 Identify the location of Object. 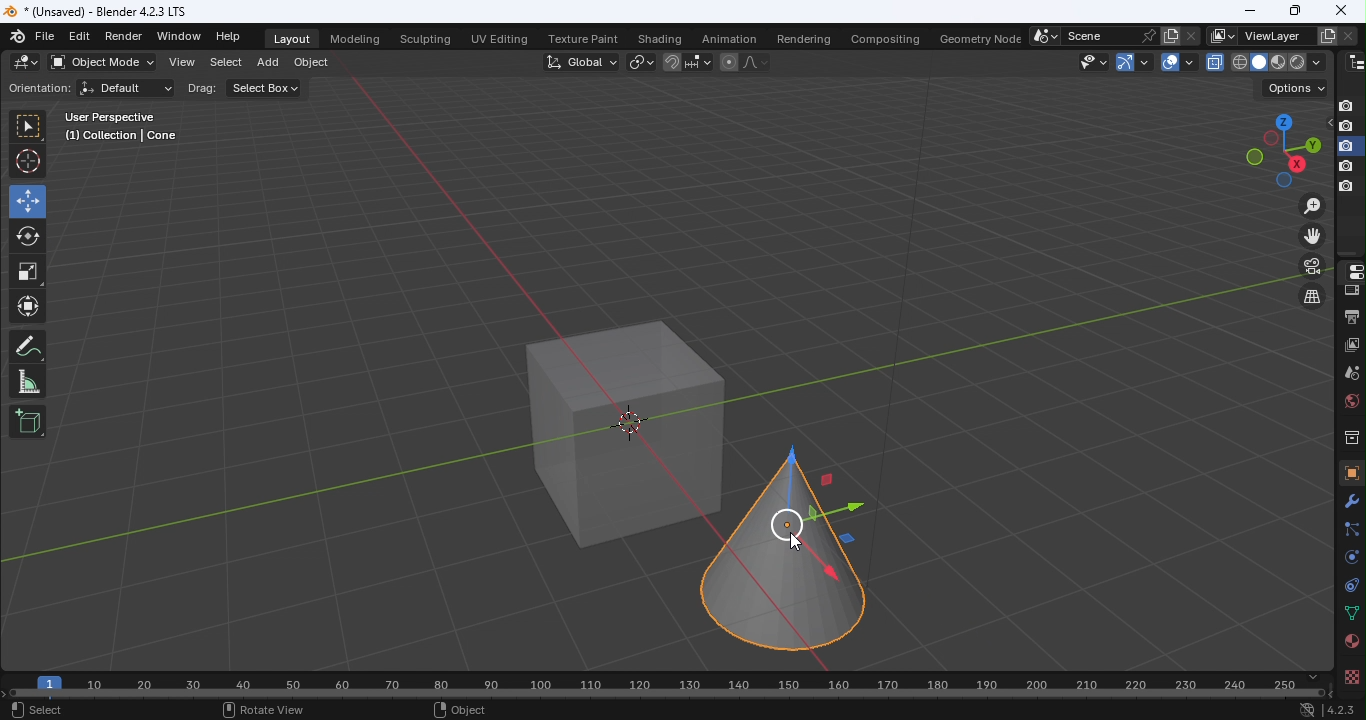
(310, 65).